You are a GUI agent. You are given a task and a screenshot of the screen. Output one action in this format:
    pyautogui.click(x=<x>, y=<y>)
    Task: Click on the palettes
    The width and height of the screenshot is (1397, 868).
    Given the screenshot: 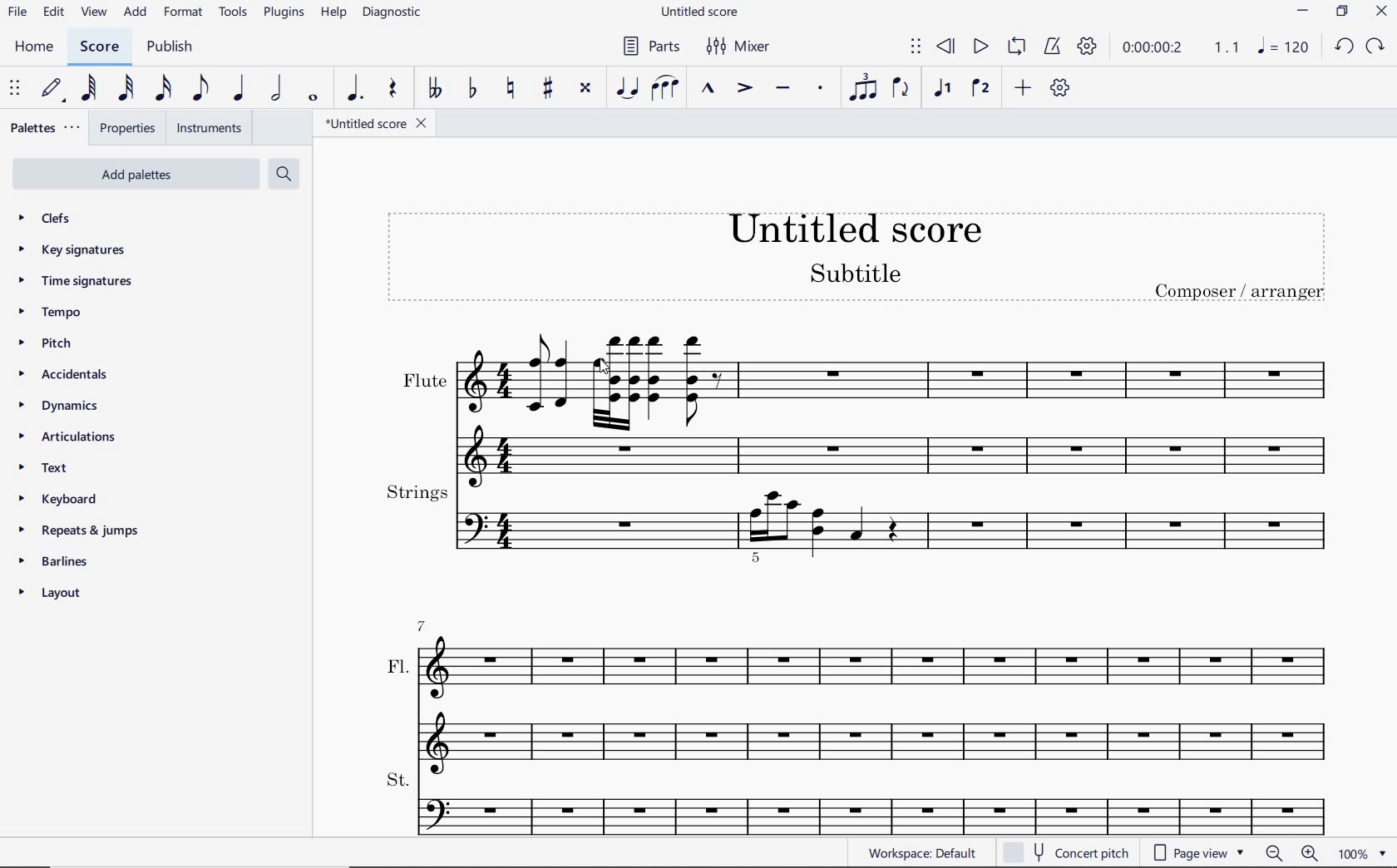 What is the action you would take?
    pyautogui.click(x=44, y=128)
    